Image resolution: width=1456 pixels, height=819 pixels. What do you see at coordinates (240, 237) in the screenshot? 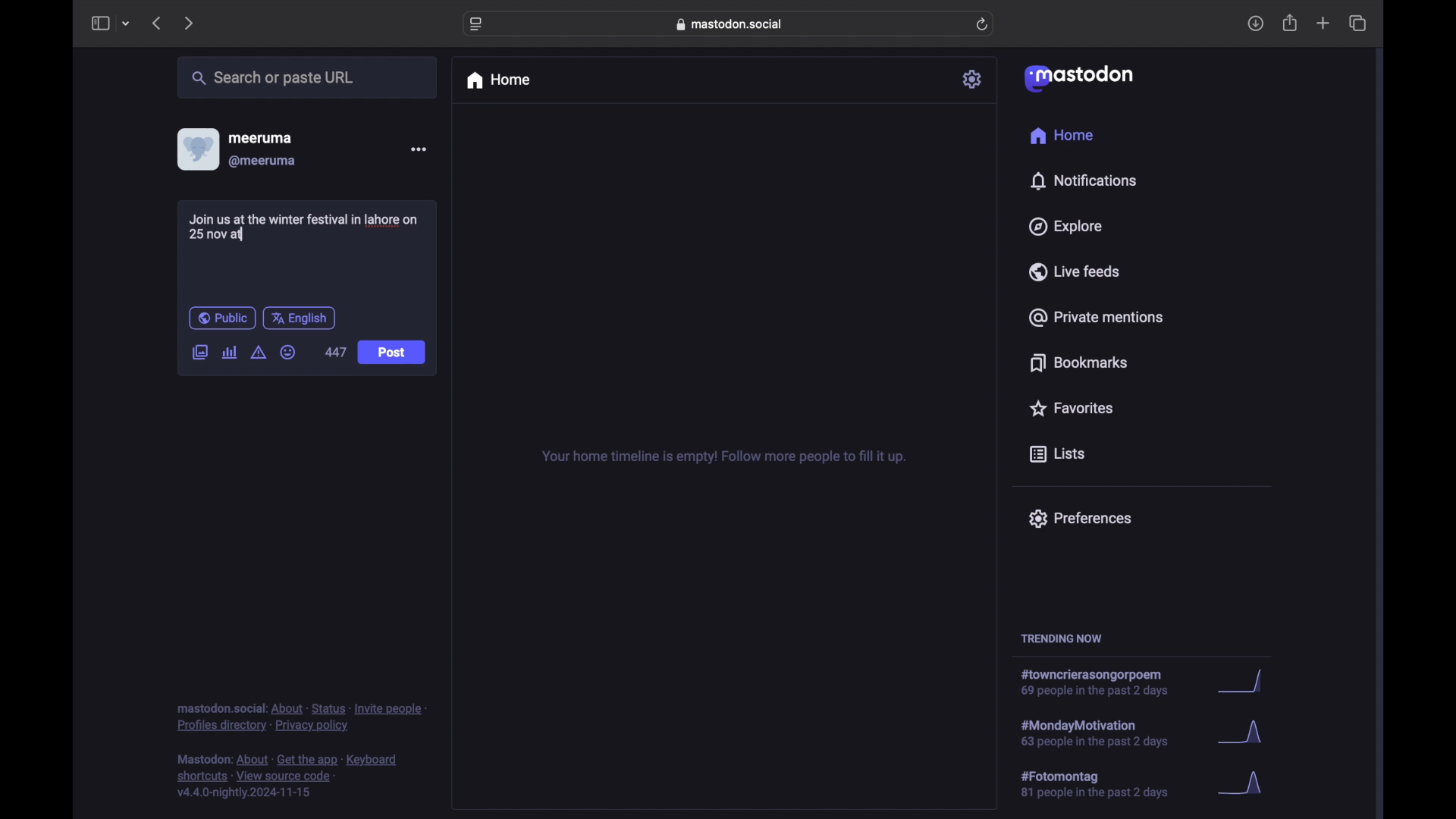
I see `text cursor` at bounding box center [240, 237].